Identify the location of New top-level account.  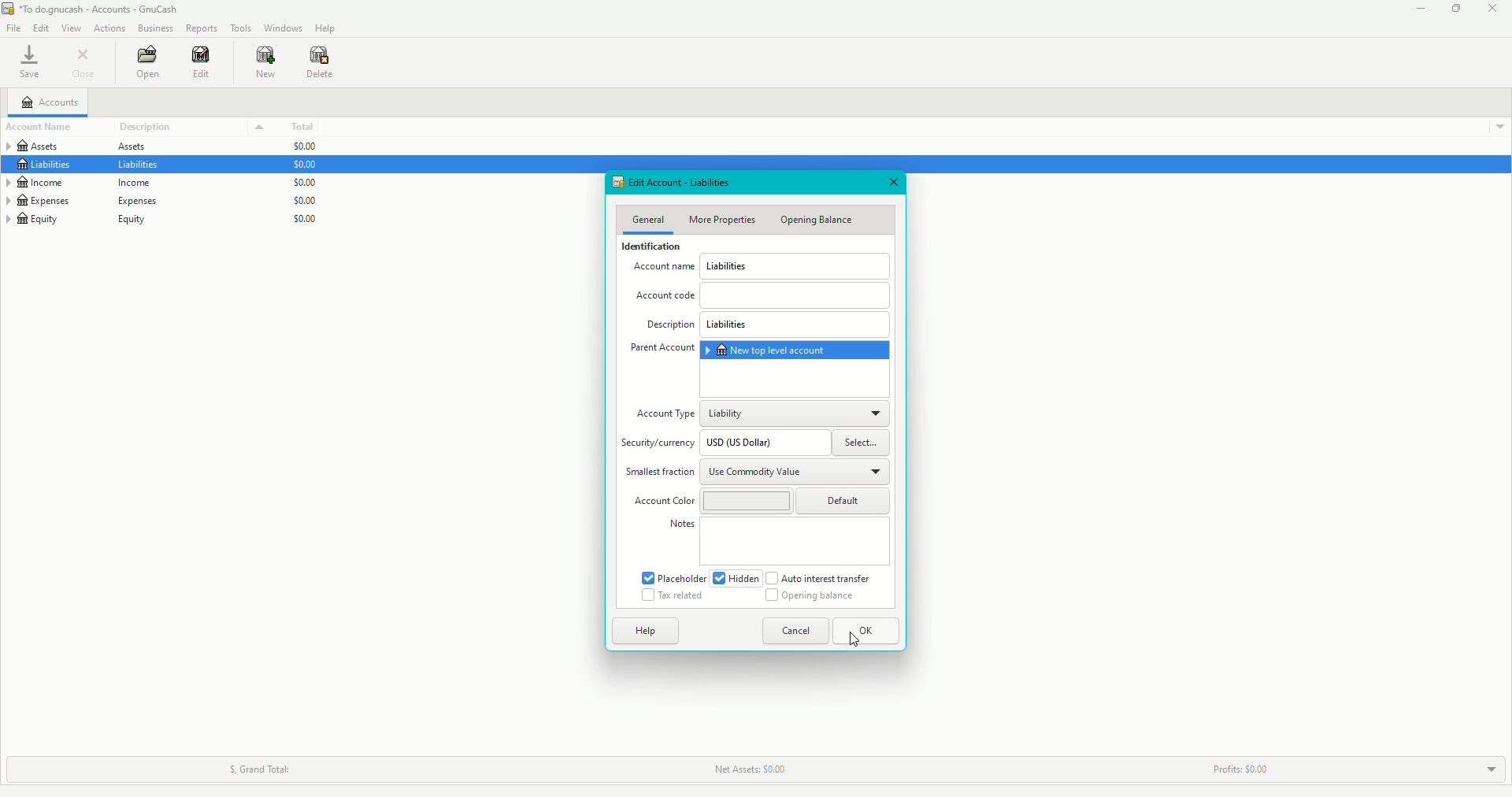
(794, 350).